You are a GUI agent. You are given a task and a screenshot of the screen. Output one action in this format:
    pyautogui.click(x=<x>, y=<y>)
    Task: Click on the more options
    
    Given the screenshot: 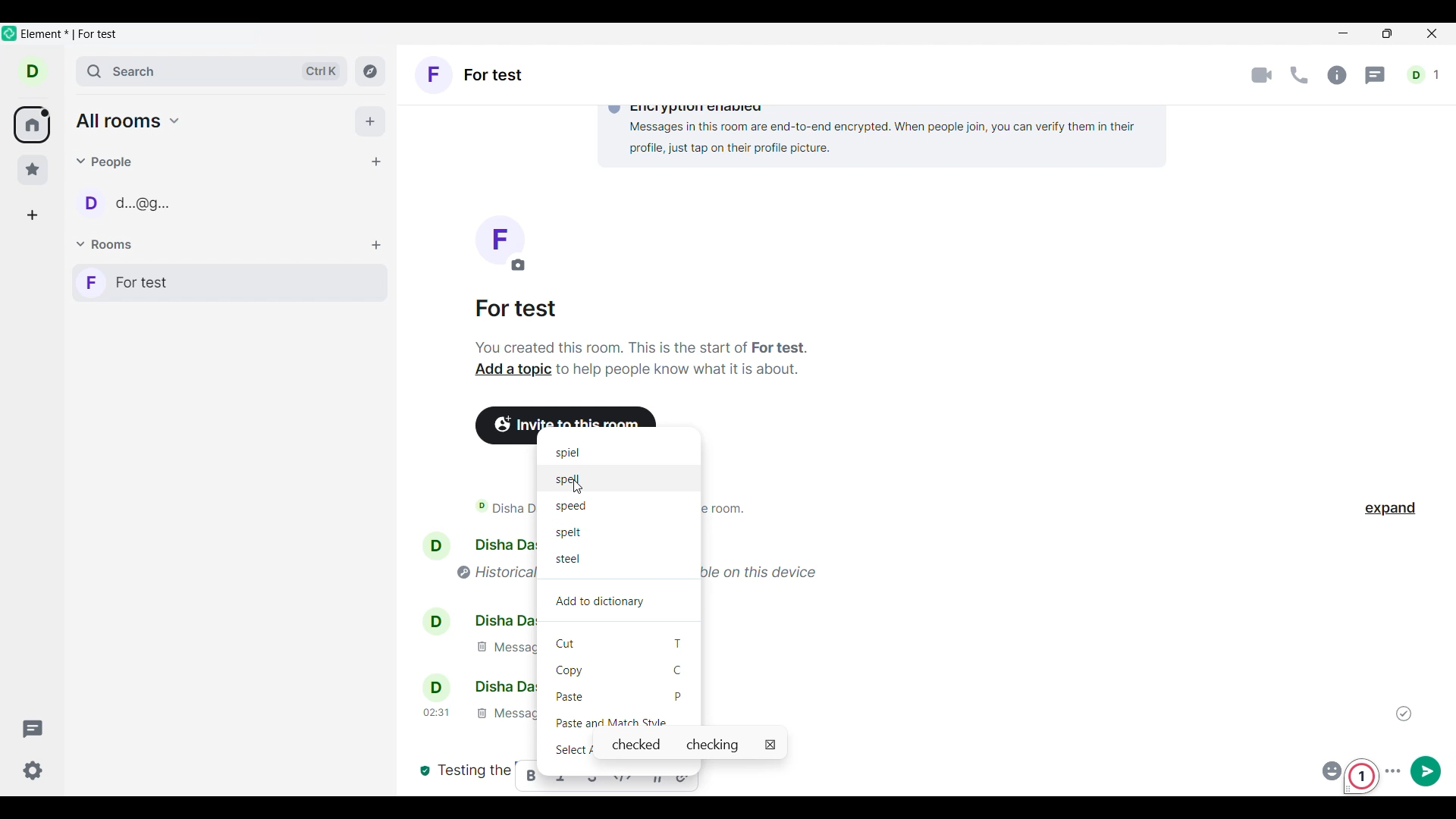 What is the action you would take?
    pyautogui.click(x=1395, y=769)
    